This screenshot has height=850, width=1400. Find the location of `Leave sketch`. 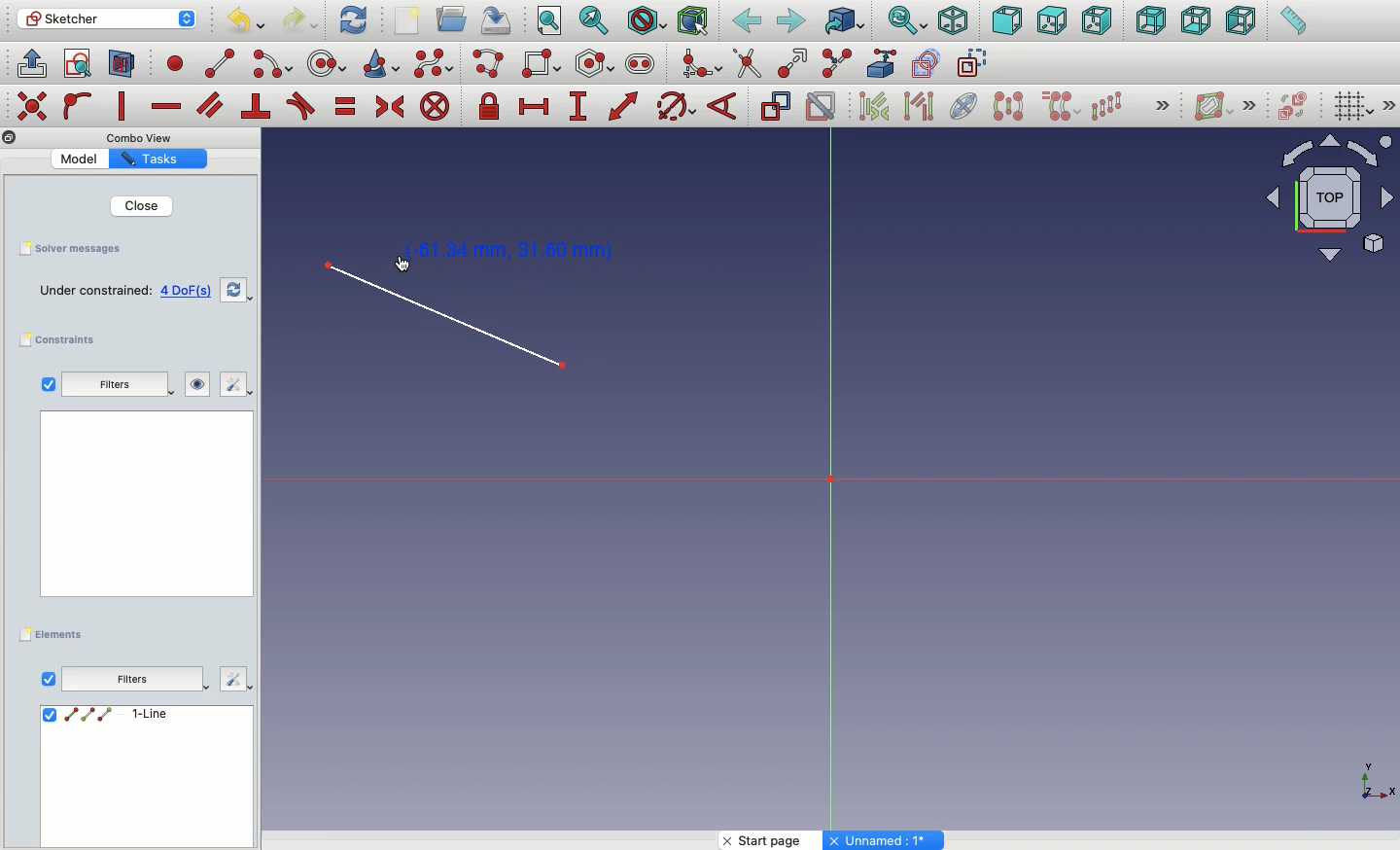

Leave sketch is located at coordinates (31, 62).